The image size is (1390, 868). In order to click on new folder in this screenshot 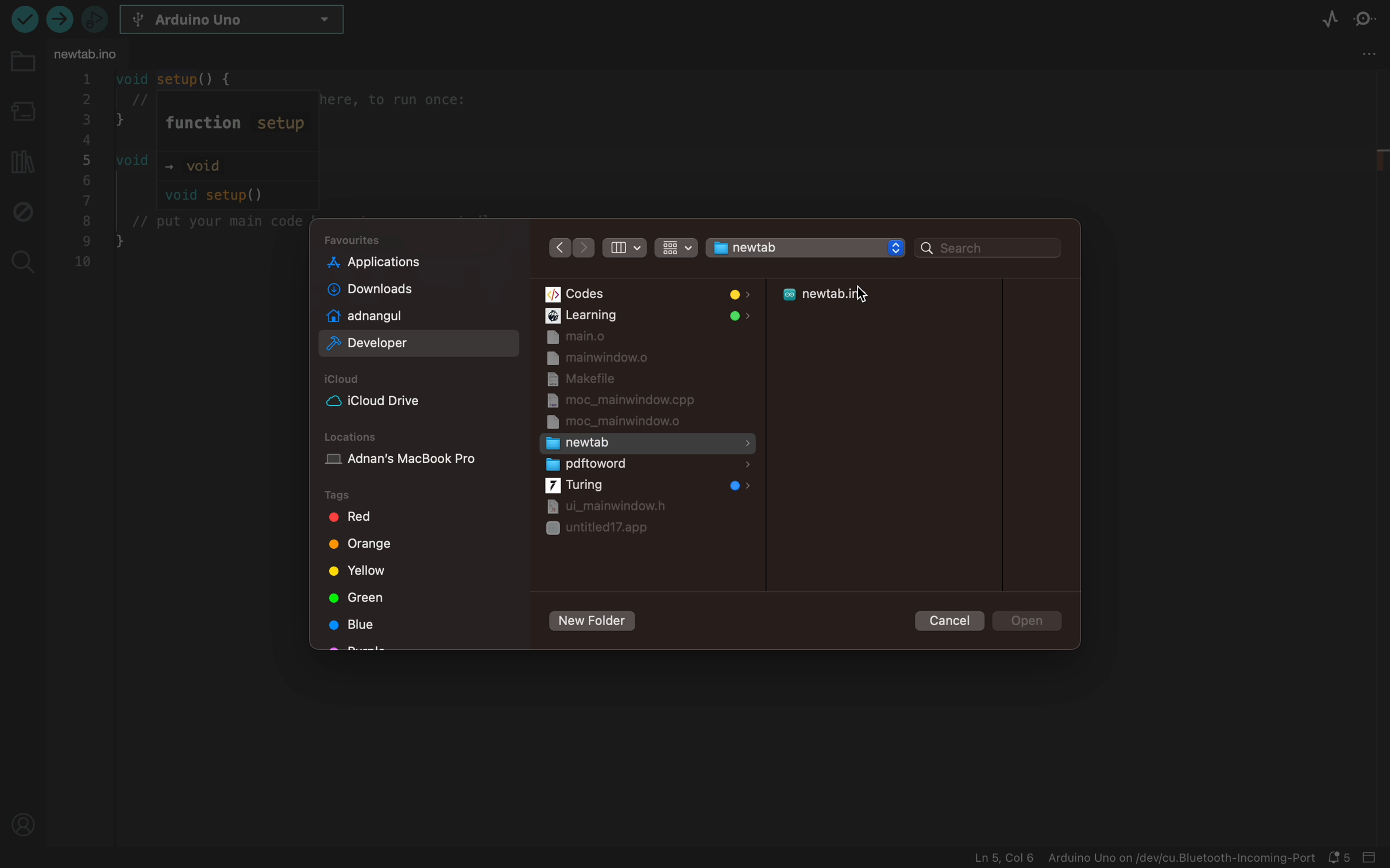, I will do `click(591, 622)`.